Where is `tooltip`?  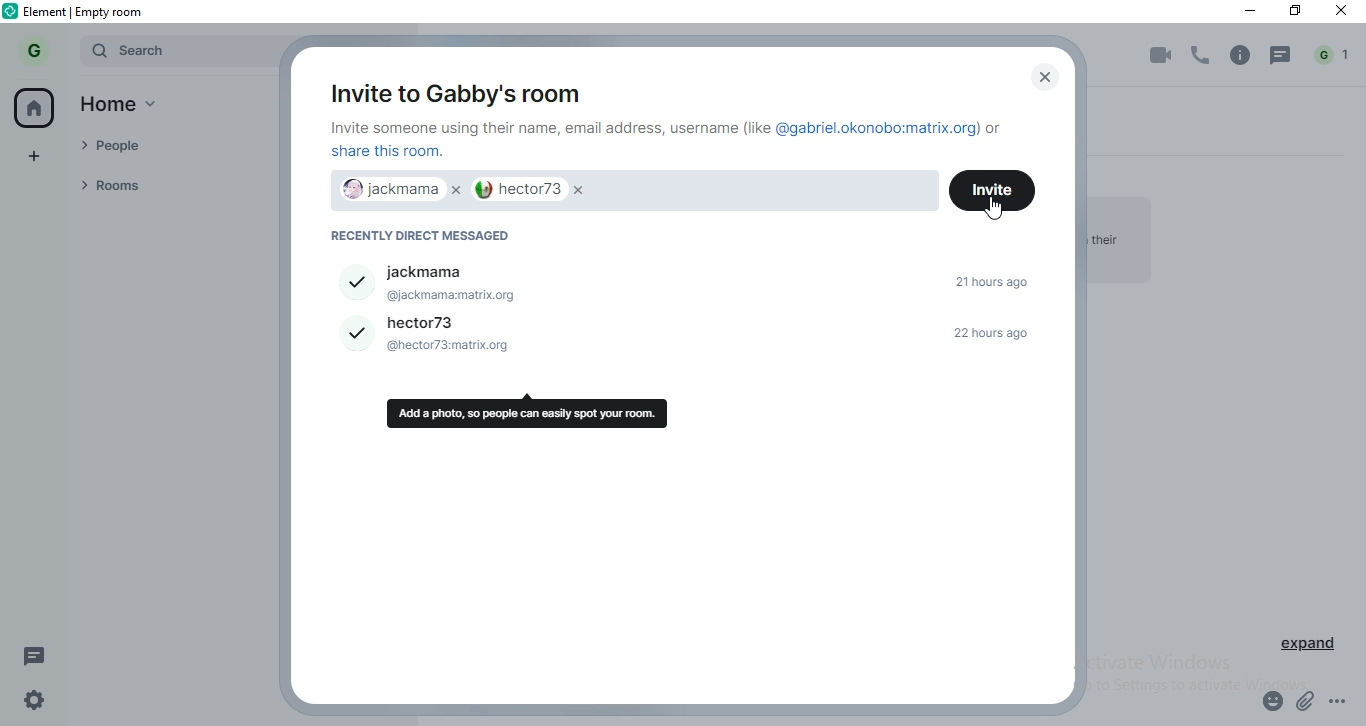 tooltip is located at coordinates (531, 411).